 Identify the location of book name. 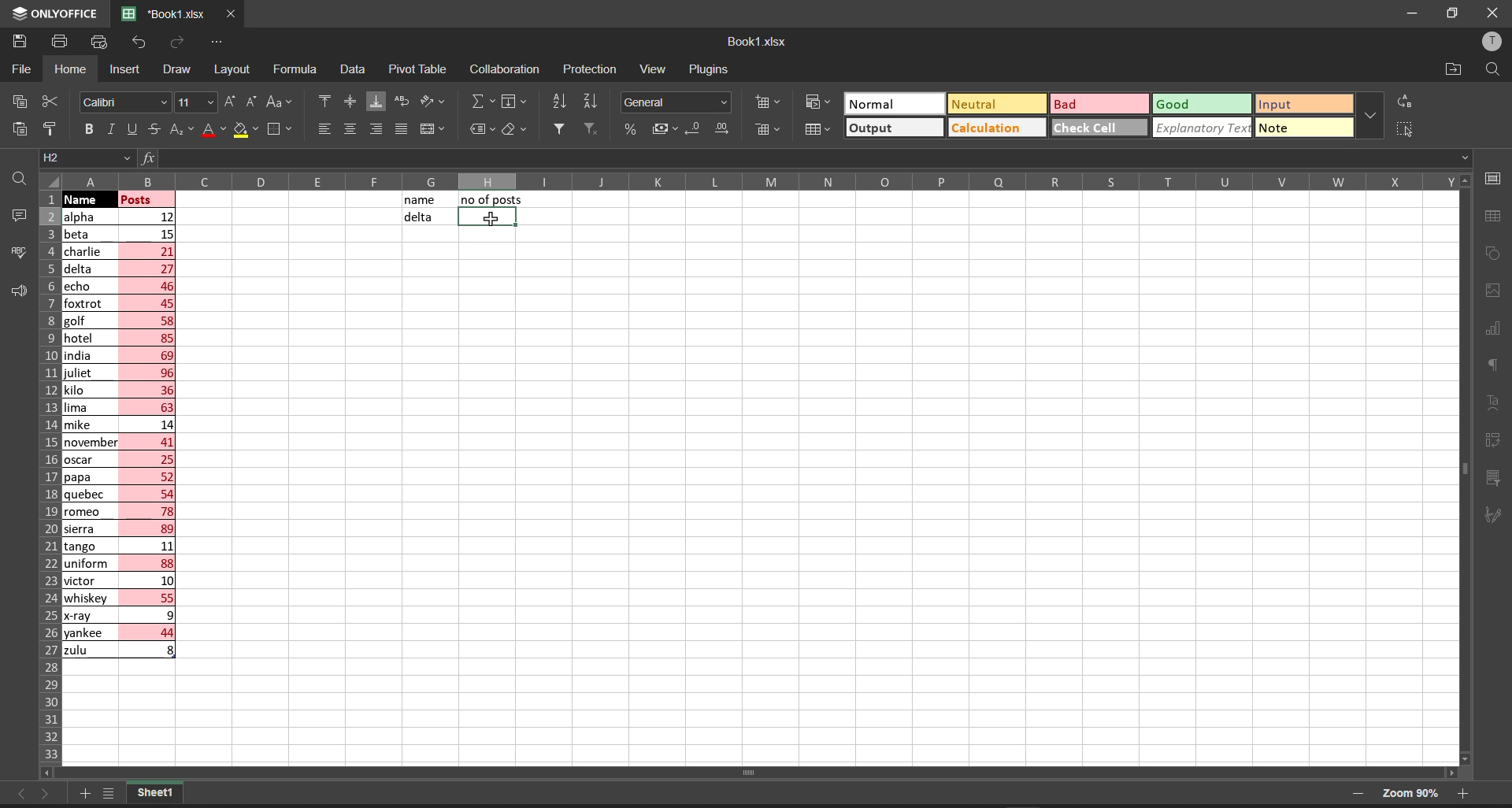
(755, 42).